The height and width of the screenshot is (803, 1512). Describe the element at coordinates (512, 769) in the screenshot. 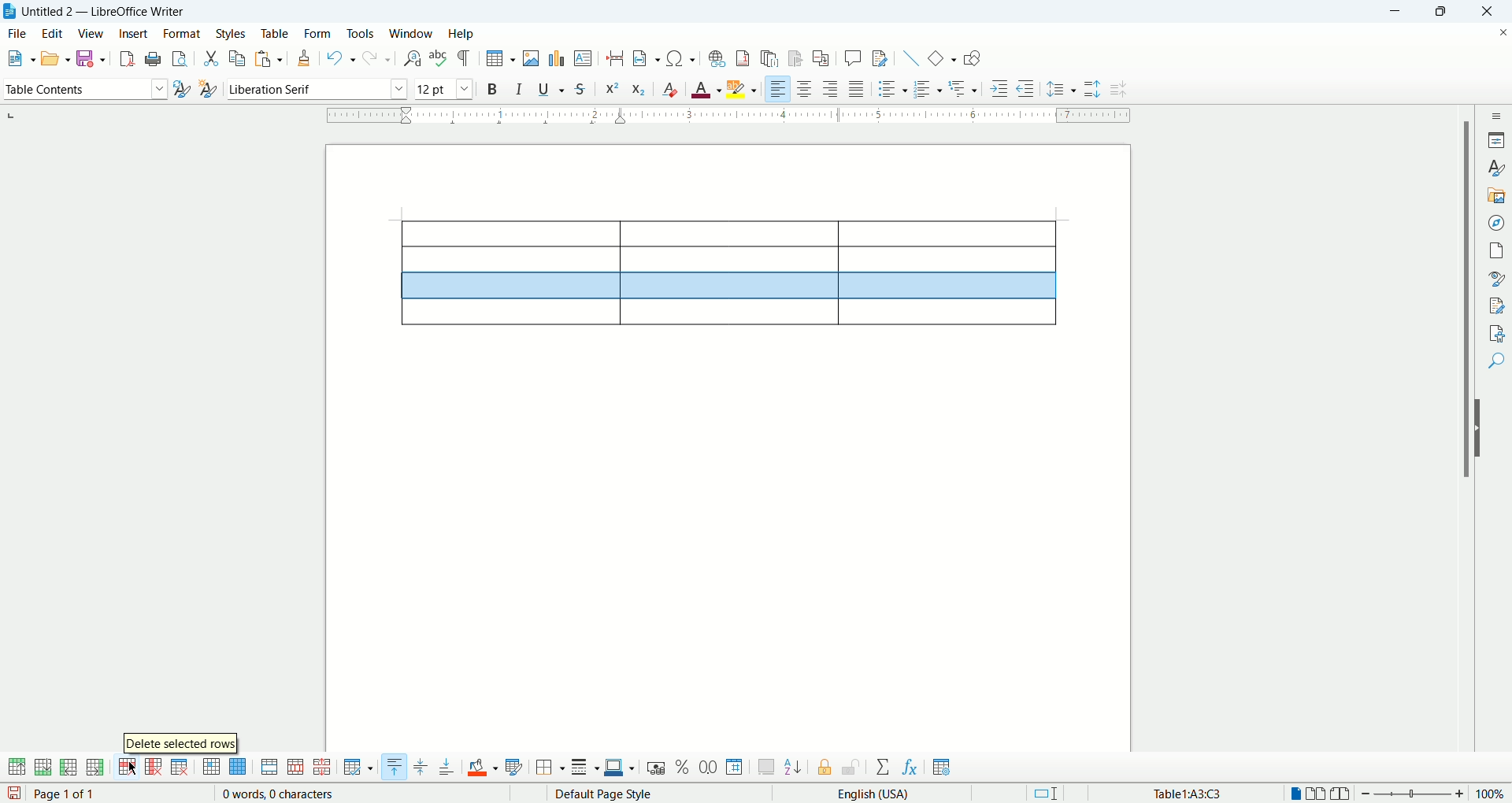

I see `autoformat styles` at that location.